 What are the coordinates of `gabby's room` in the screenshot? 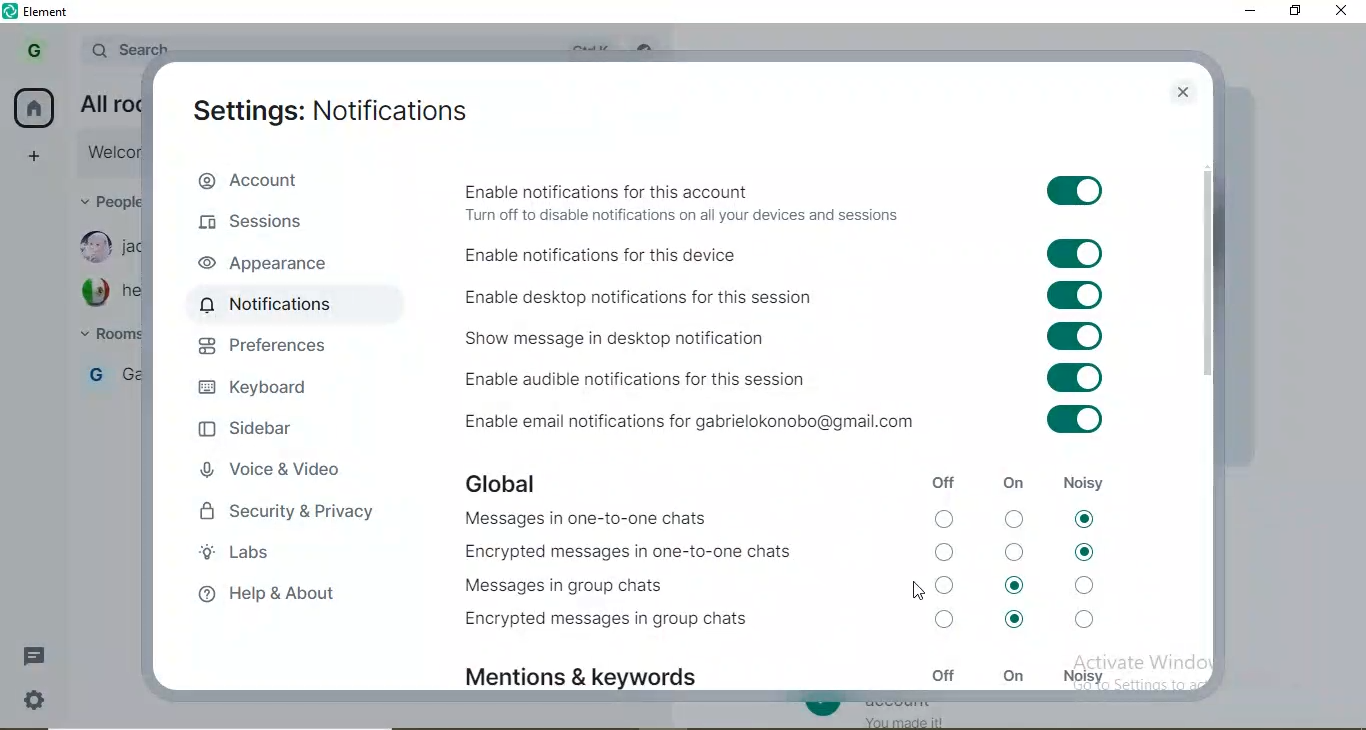 It's located at (113, 374).